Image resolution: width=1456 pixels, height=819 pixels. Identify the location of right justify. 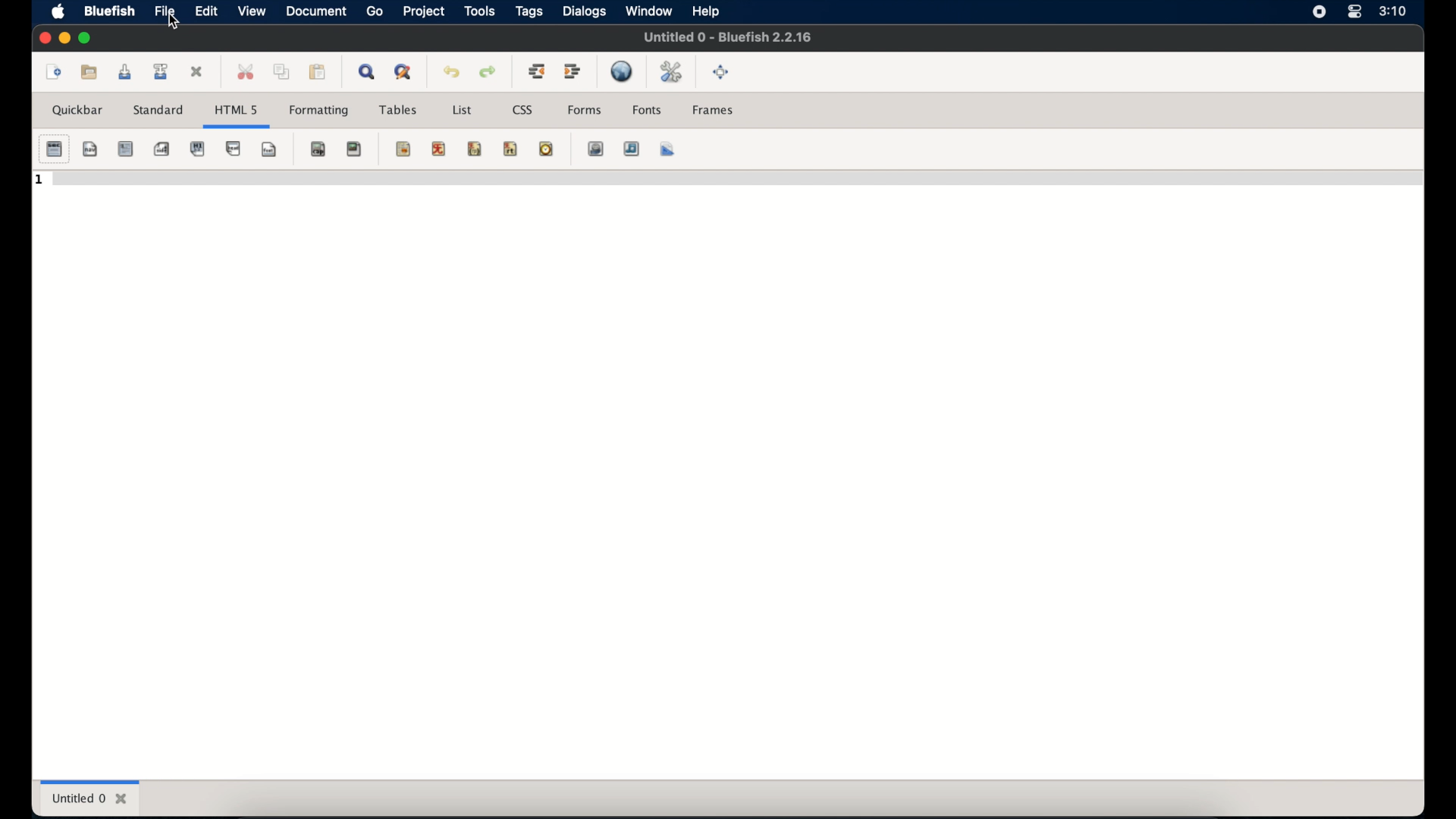
(460, 148).